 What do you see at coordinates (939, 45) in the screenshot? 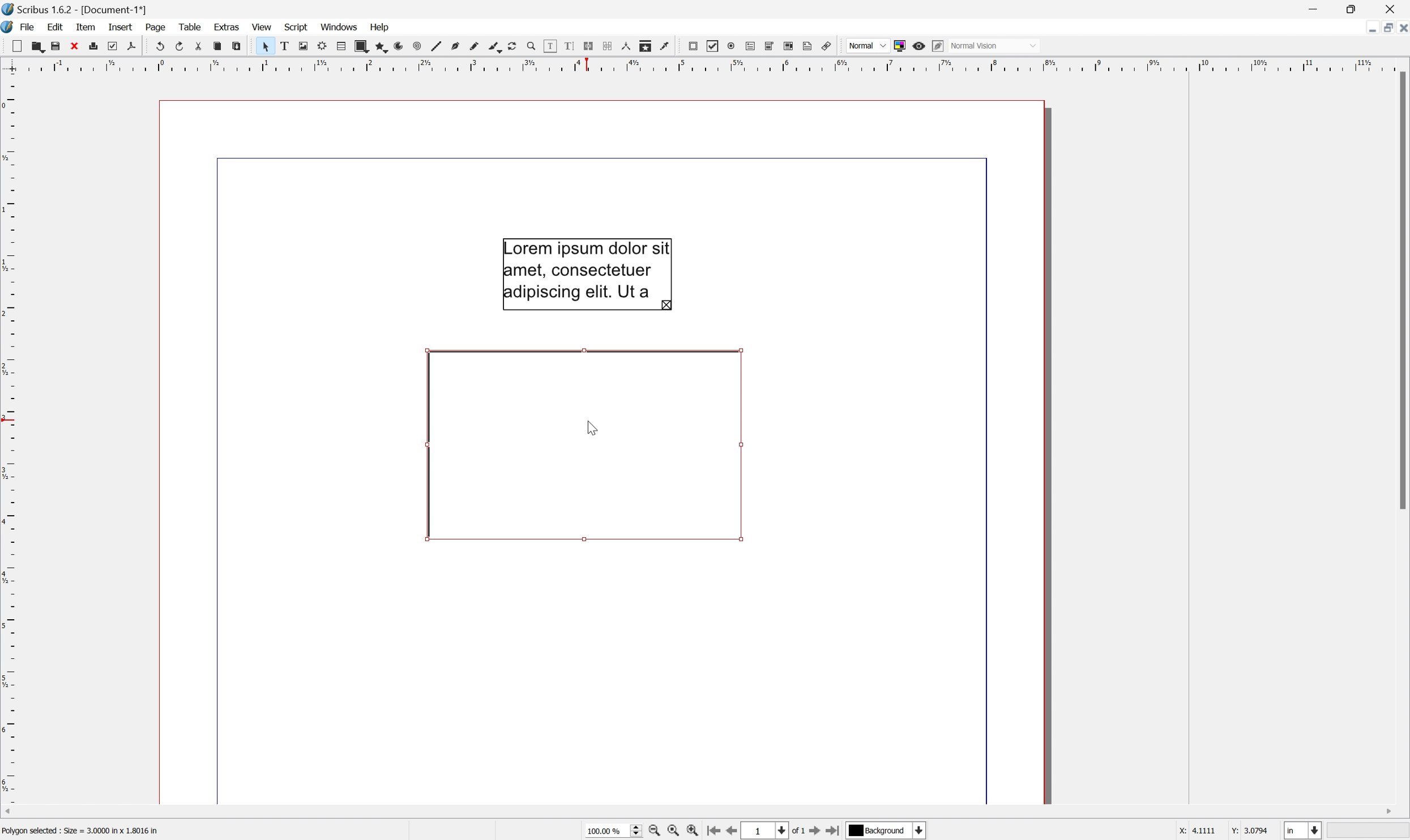
I see `Edit in preview mode` at bounding box center [939, 45].